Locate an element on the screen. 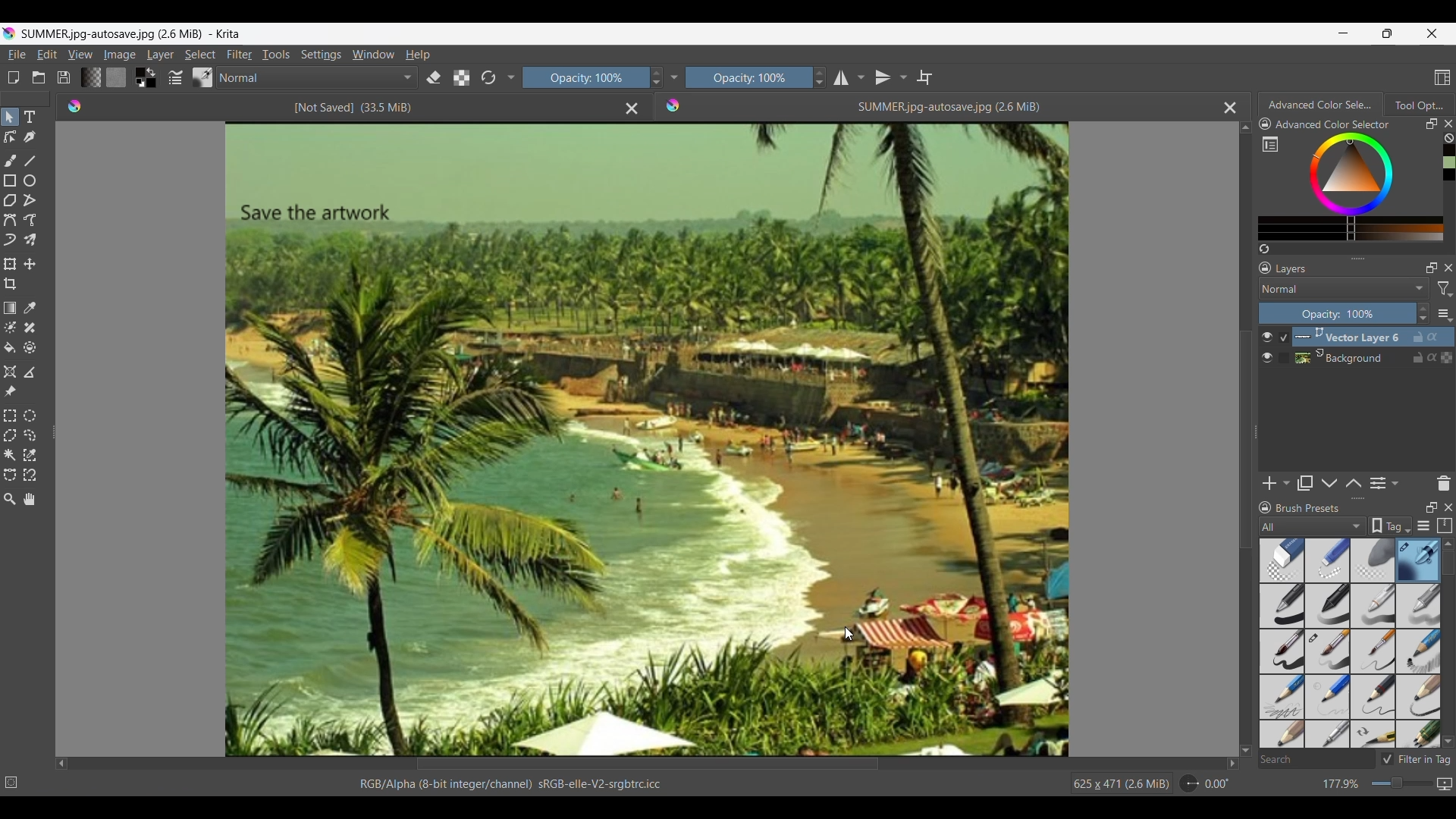 The height and width of the screenshot is (819, 1456). Polygon selection tool is located at coordinates (11, 435).